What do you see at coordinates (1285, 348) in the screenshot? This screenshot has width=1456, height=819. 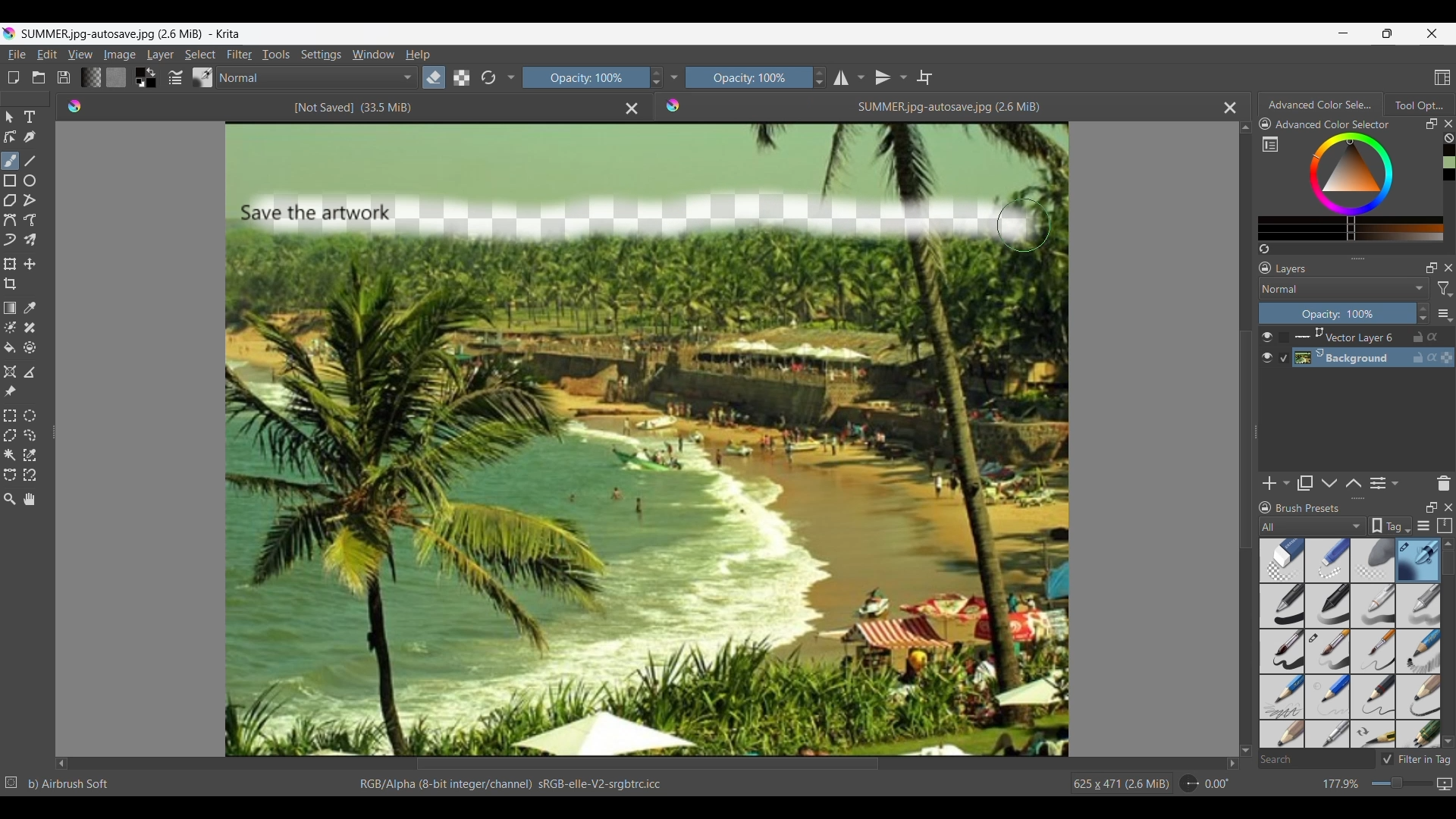 I see `Indicates respective background is selected` at bounding box center [1285, 348].